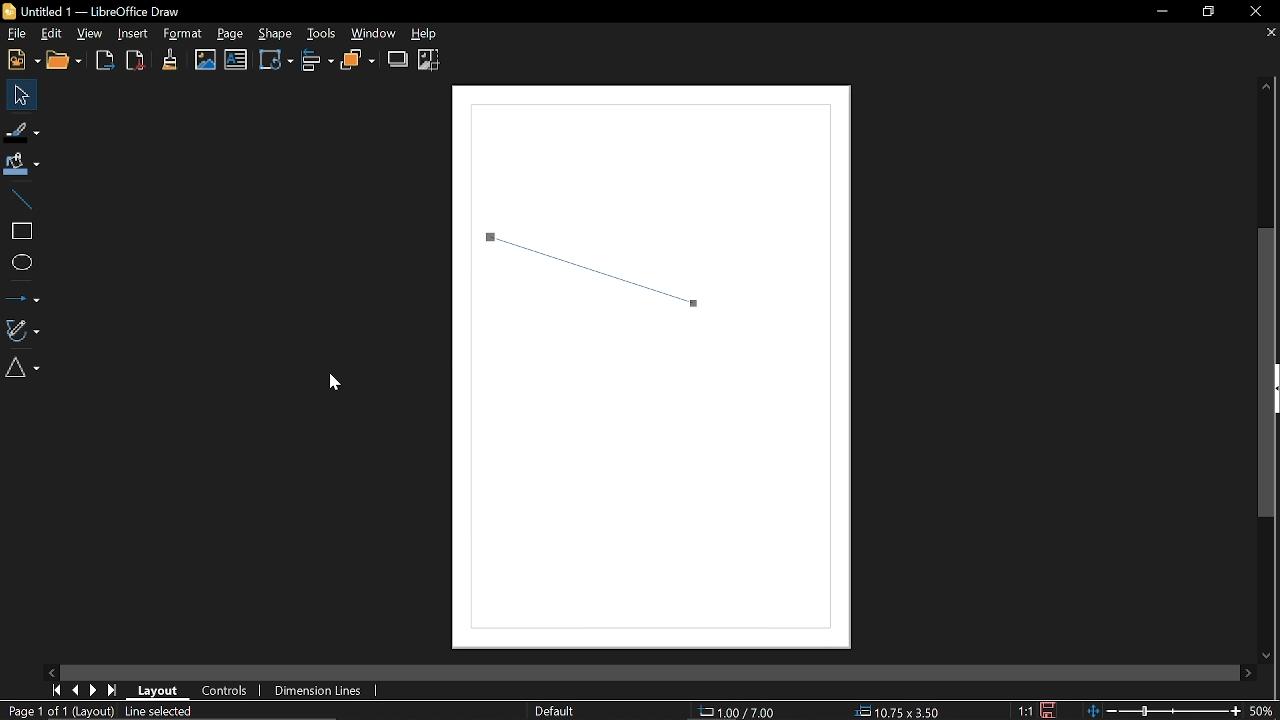 This screenshot has height=720, width=1280. I want to click on ELlipse, so click(21, 262).